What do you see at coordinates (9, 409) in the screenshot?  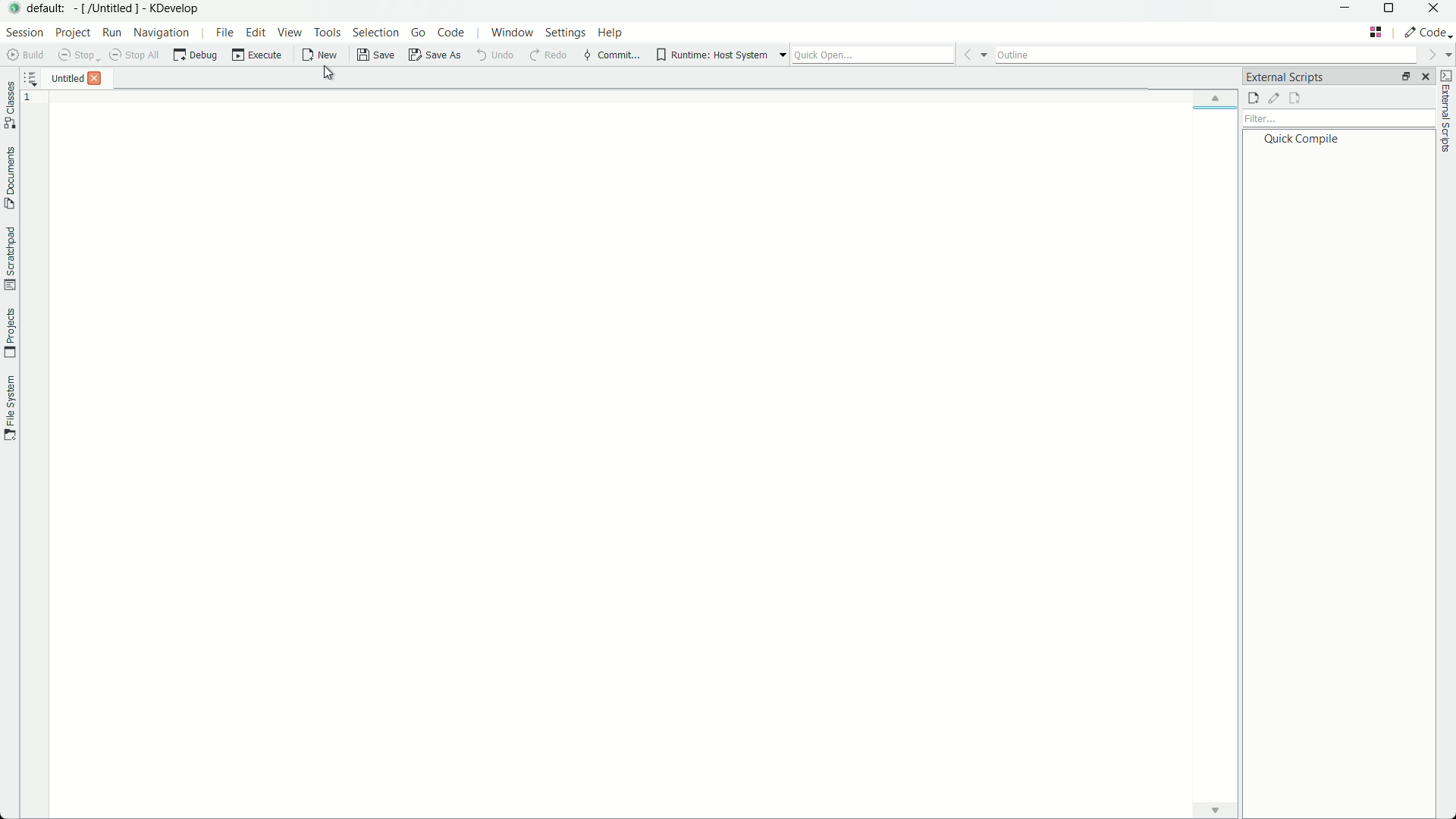 I see `file system` at bounding box center [9, 409].